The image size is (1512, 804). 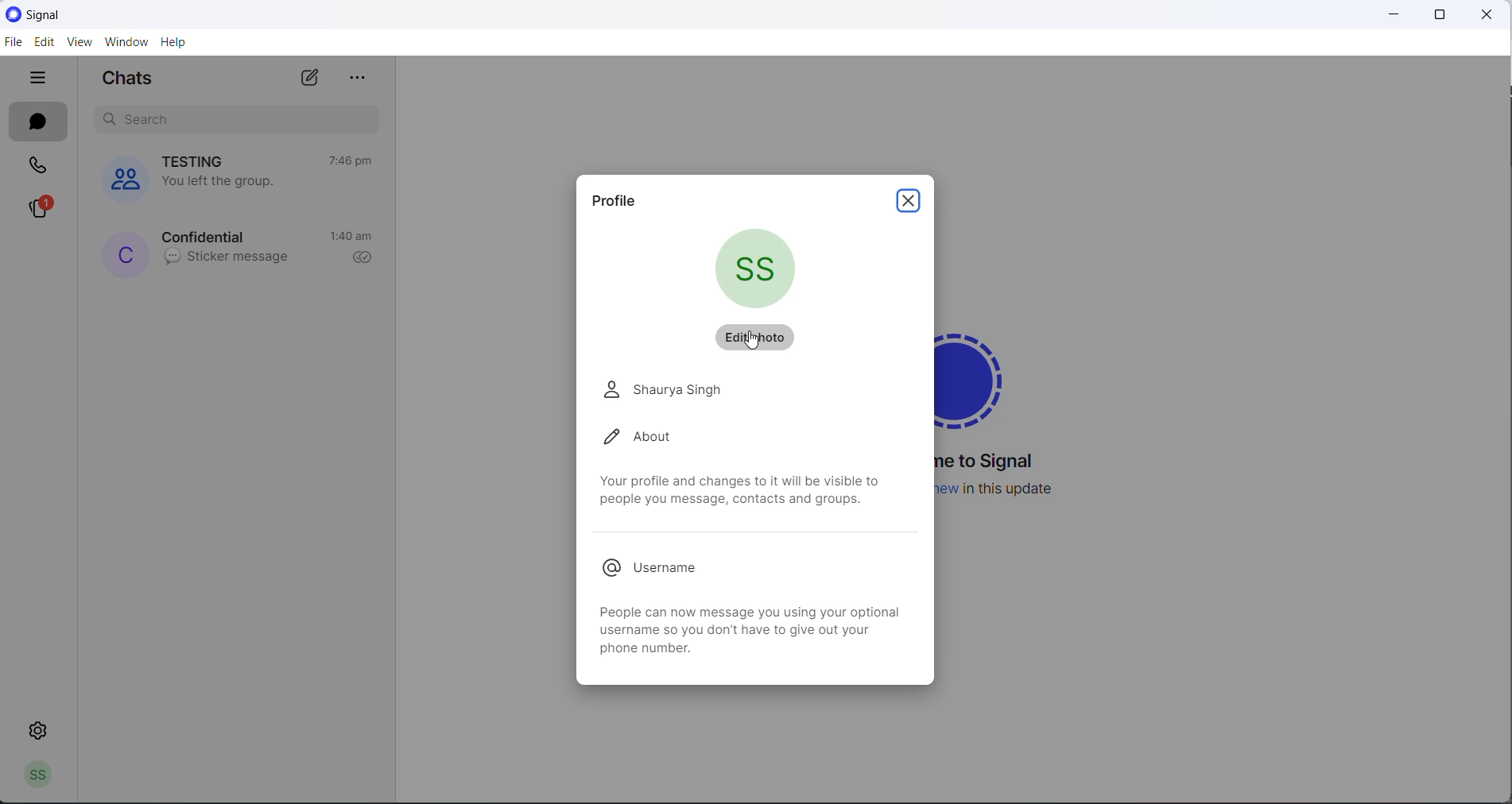 I want to click on profile heading, so click(x=618, y=199).